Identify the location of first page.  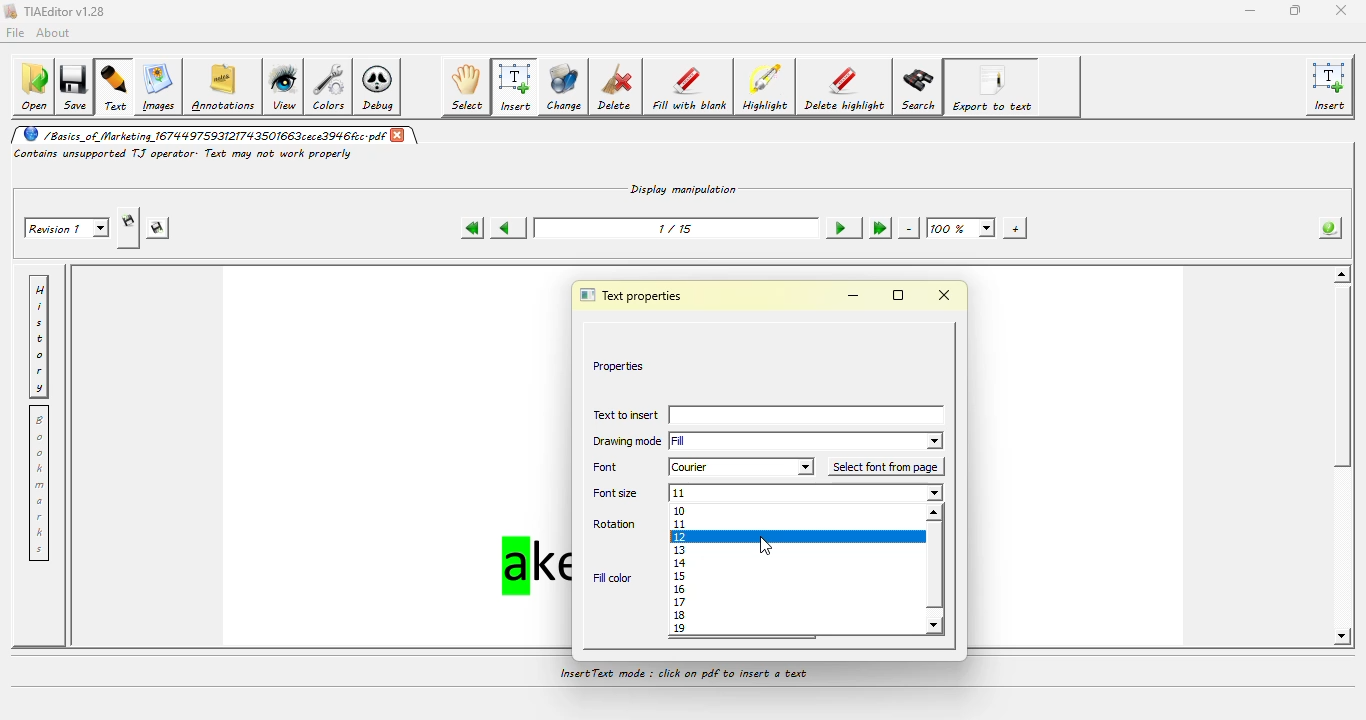
(470, 228).